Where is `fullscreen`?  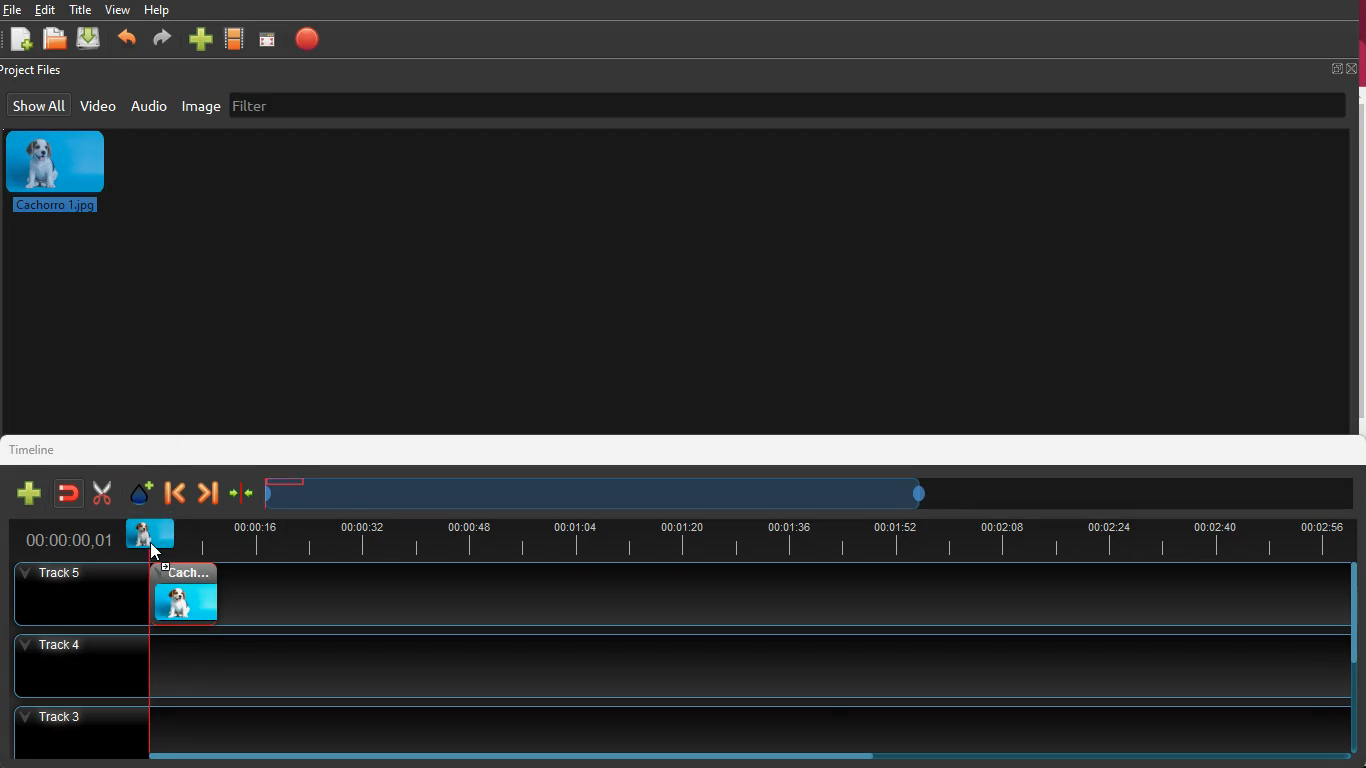
fullscreen is located at coordinates (1342, 66).